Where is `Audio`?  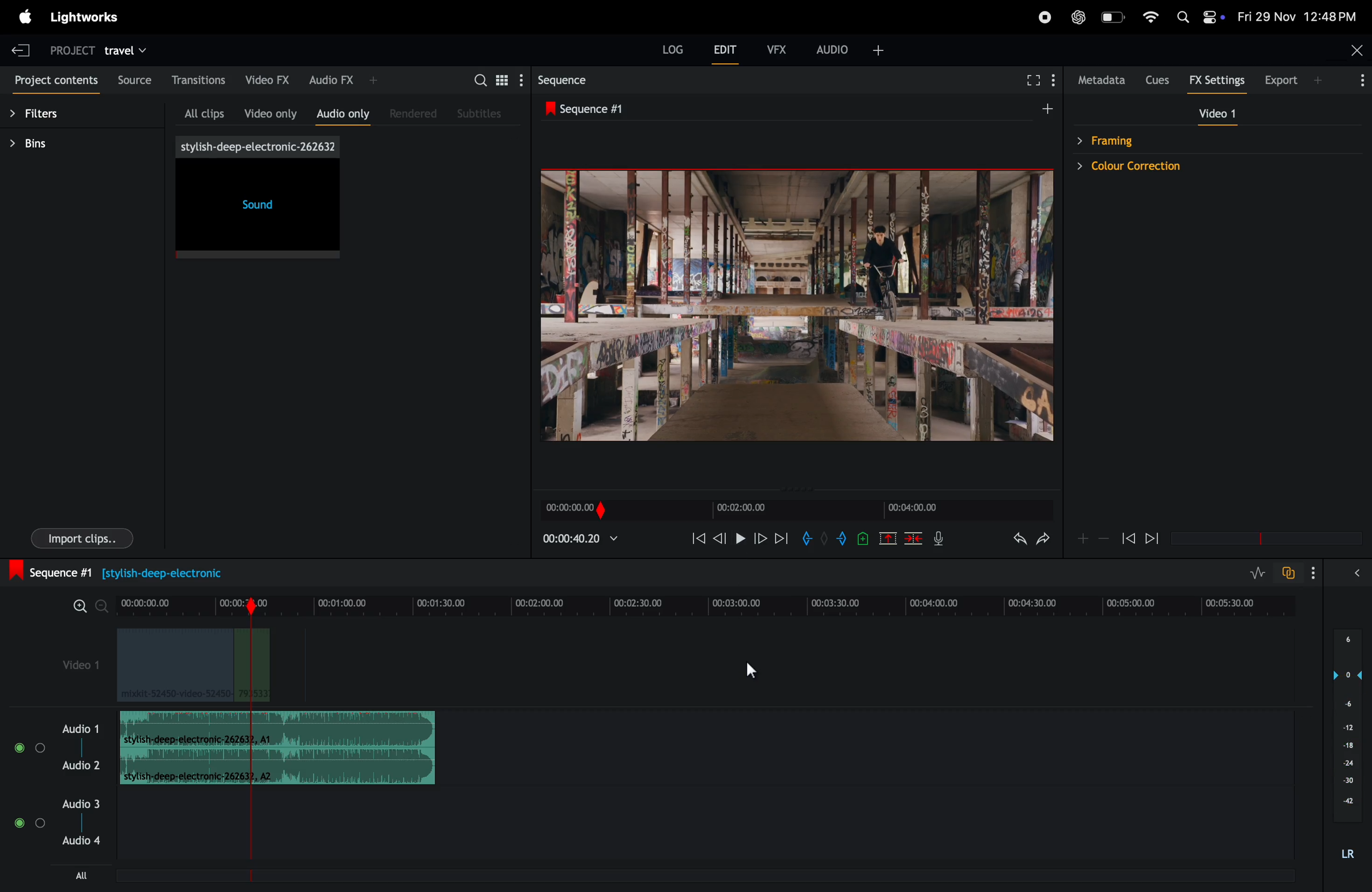 Audio is located at coordinates (79, 766).